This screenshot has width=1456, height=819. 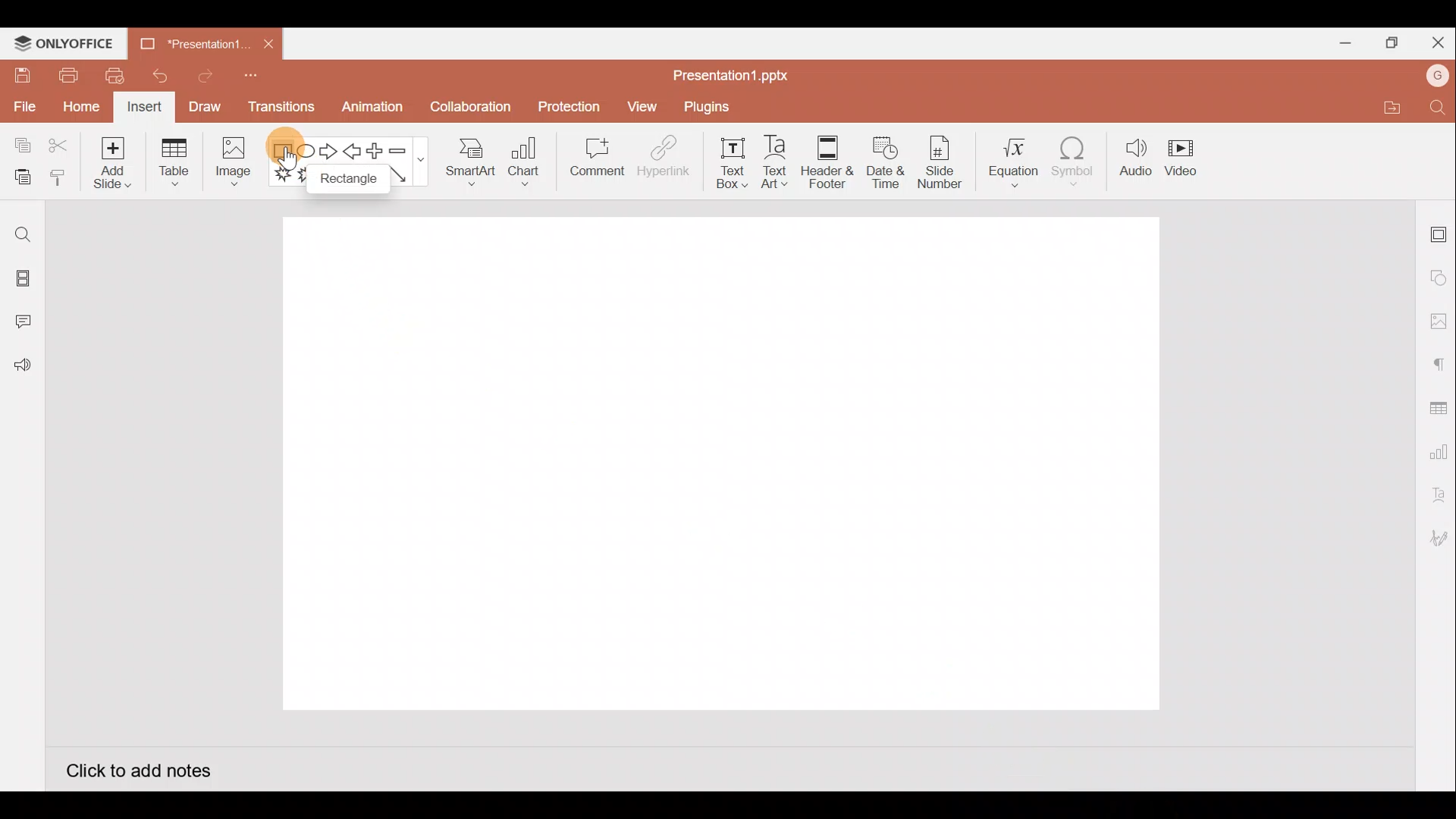 I want to click on Image, so click(x=231, y=165).